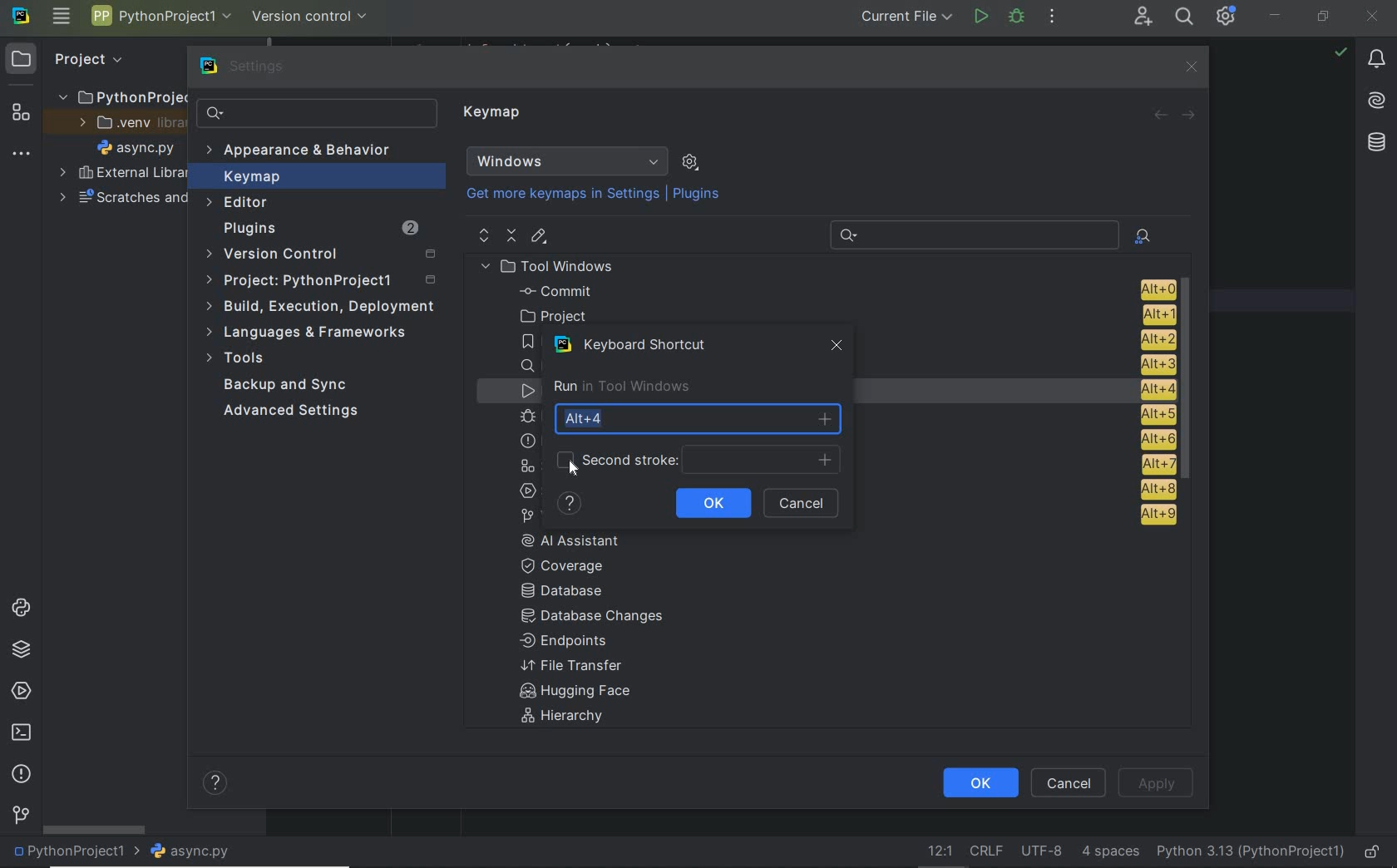 The height and width of the screenshot is (868, 1397). What do you see at coordinates (571, 465) in the screenshot?
I see `Cursor Position` at bounding box center [571, 465].